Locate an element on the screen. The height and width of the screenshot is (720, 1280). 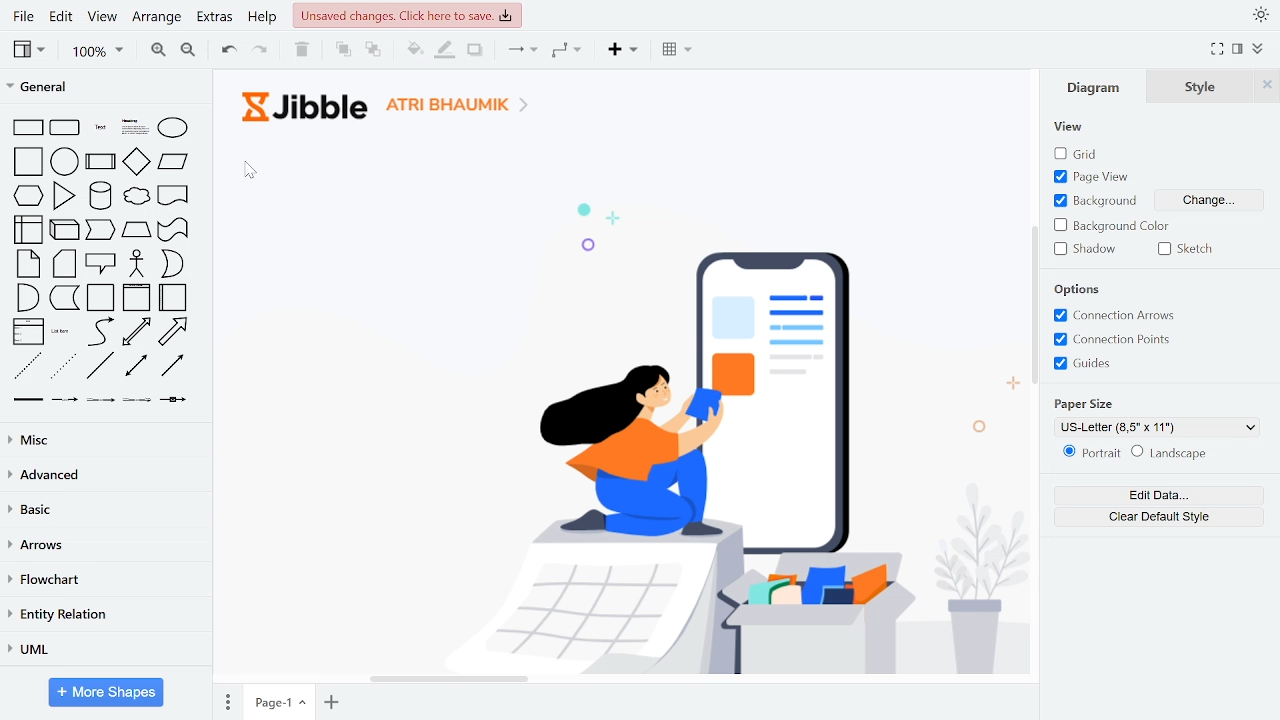
general shapes is located at coordinates (63, 226).